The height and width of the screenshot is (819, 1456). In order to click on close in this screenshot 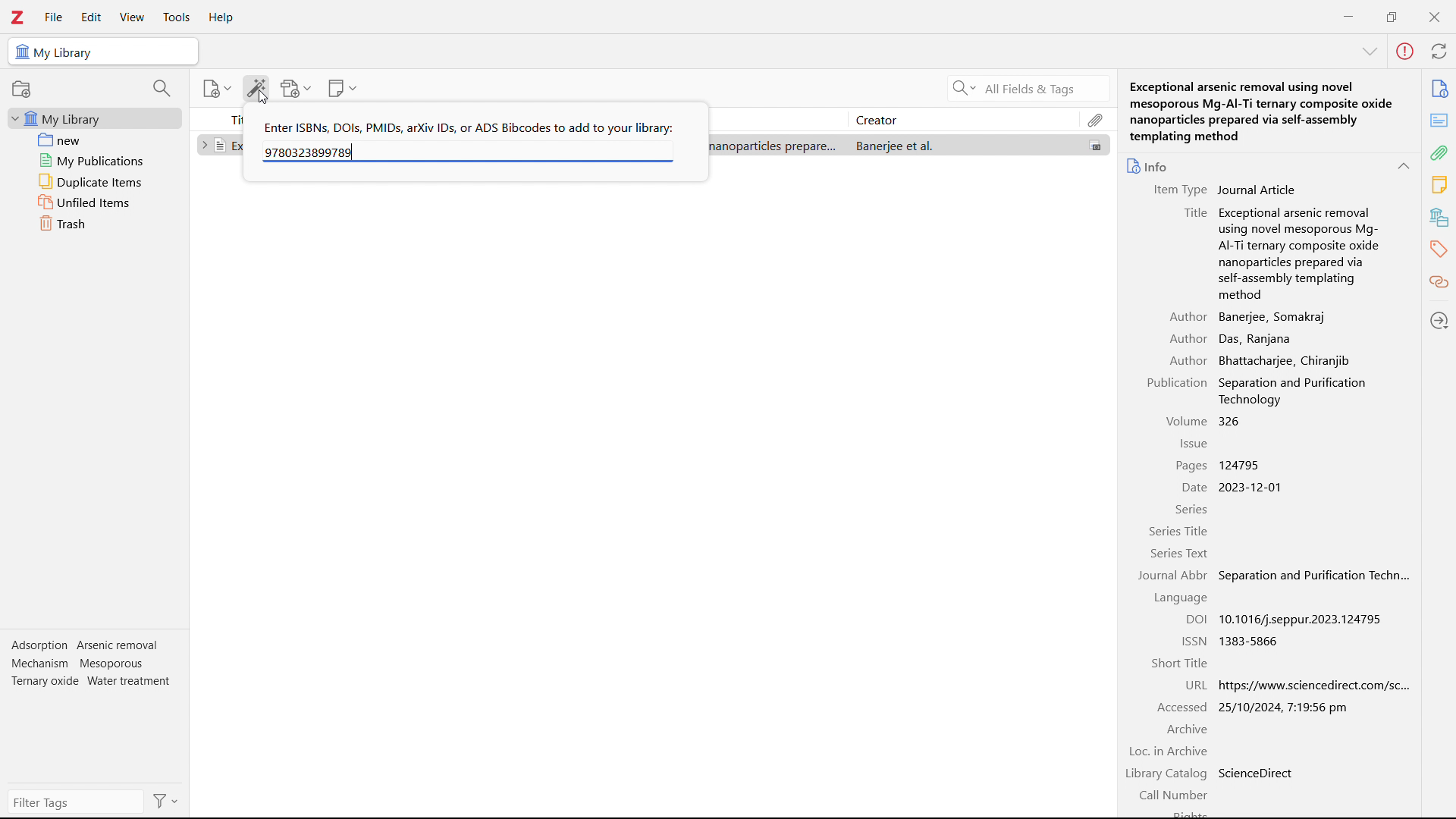, I will do `click(1433, 17)`.